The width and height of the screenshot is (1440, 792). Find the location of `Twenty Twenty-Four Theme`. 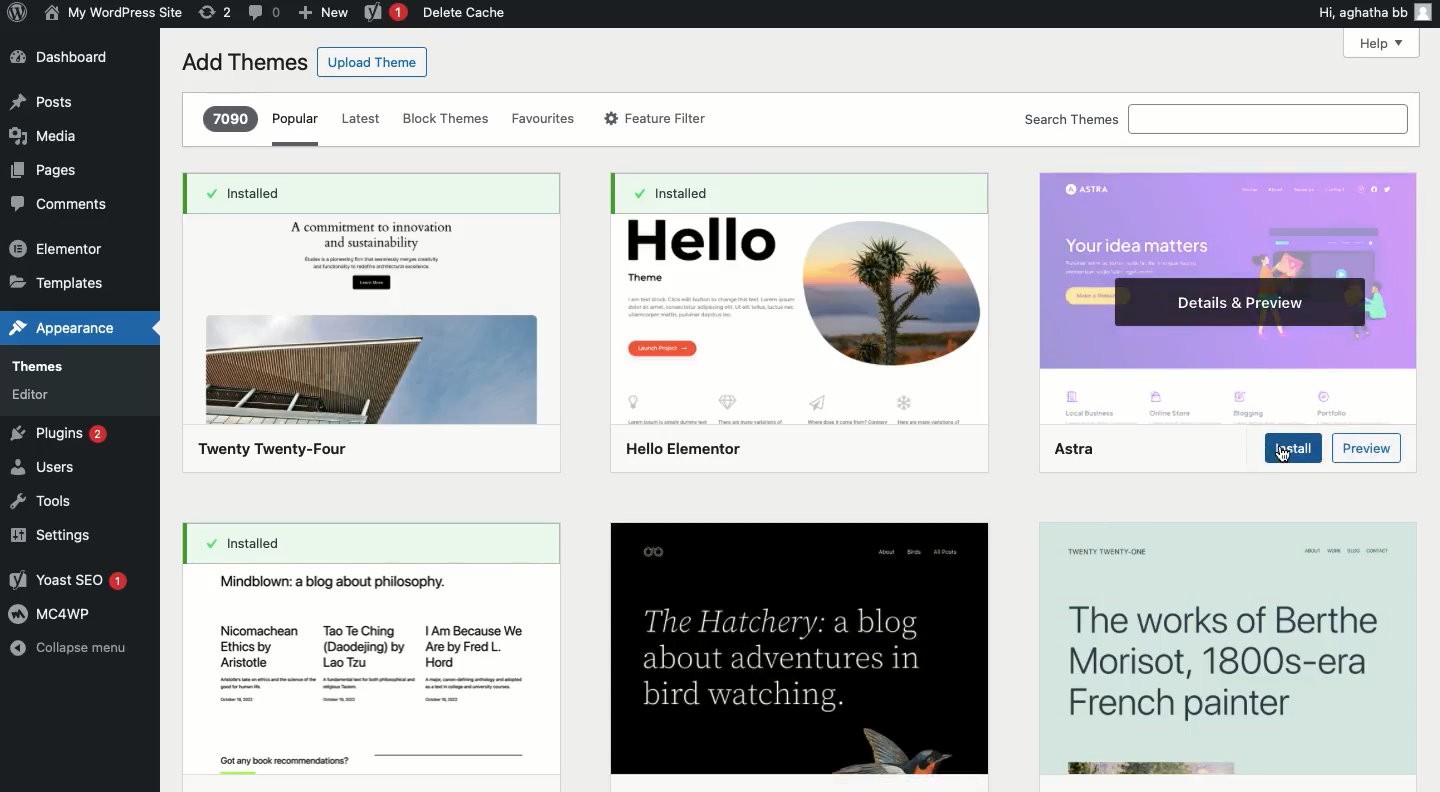

Twenty Twenty-Four Theme is located at coordinates (372, 344).